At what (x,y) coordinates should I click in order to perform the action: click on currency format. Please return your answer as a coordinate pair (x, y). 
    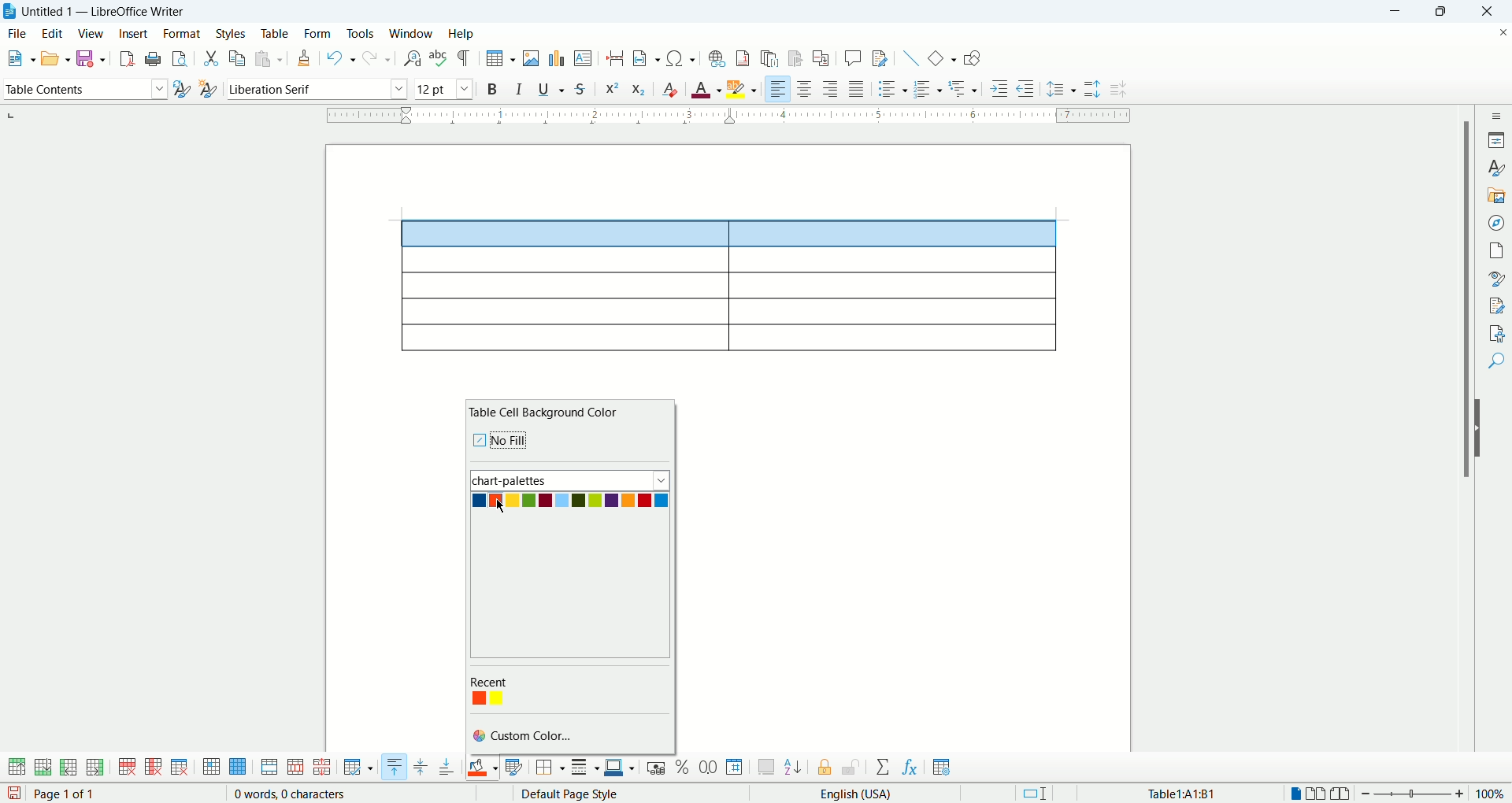
    Looking at the image, I should click on (659, 767).